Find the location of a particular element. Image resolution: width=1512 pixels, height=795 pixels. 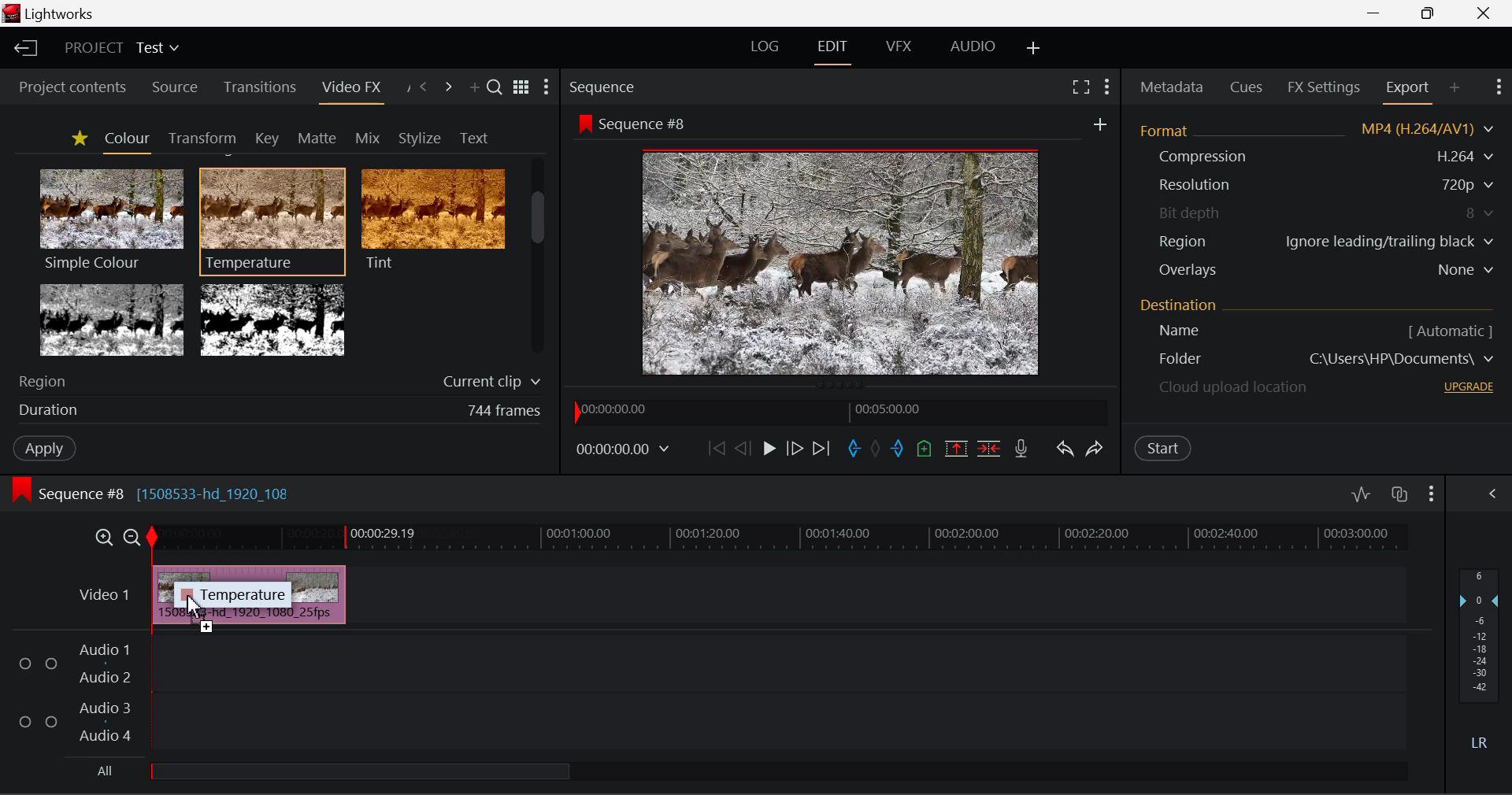

Project Title is located at coordinates (121, 46).